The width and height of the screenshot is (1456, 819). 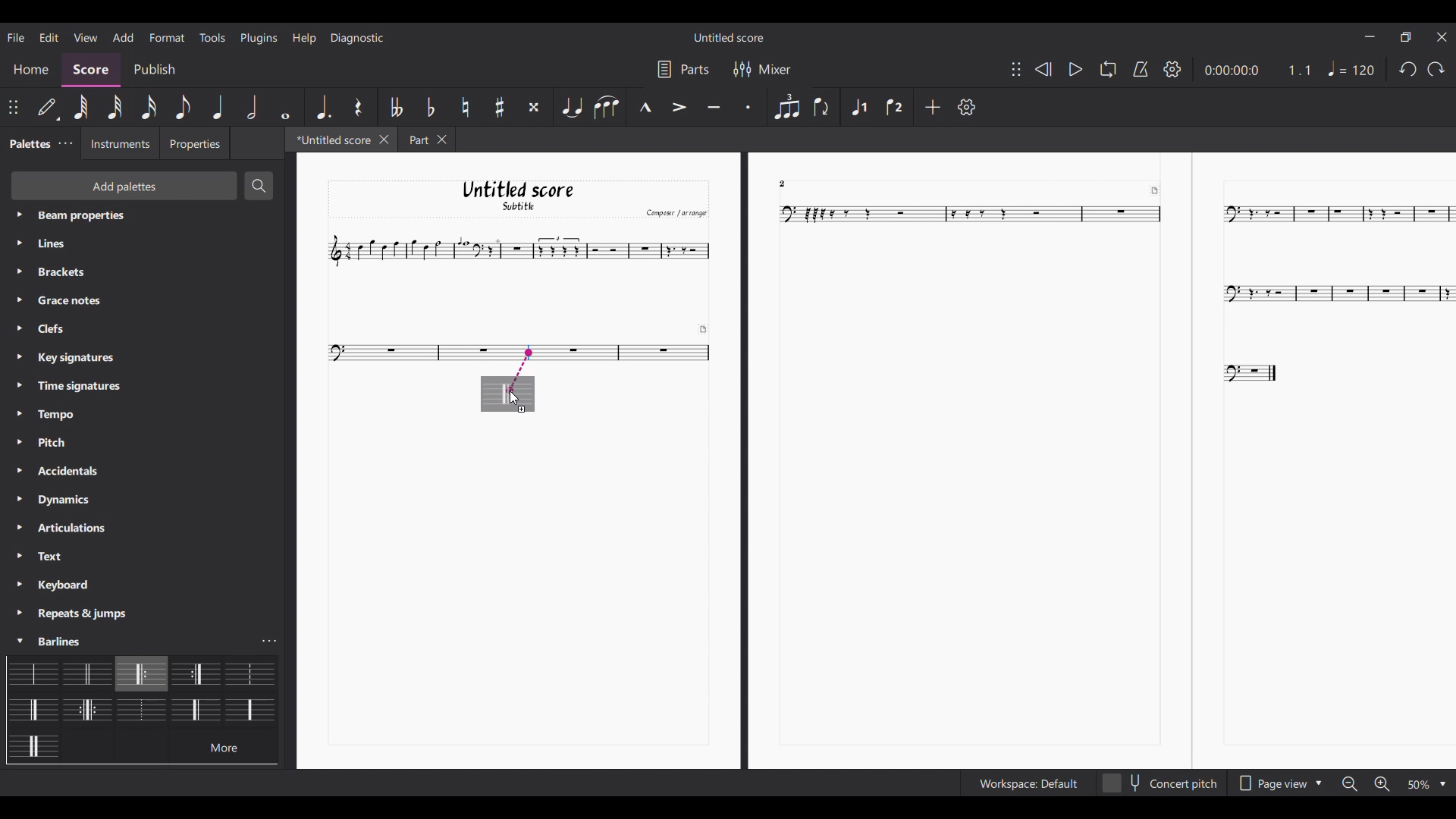 What do you see at coordinates (572, 107) in the screenshot?
I see `Tie` at bounding box center [572, 107].